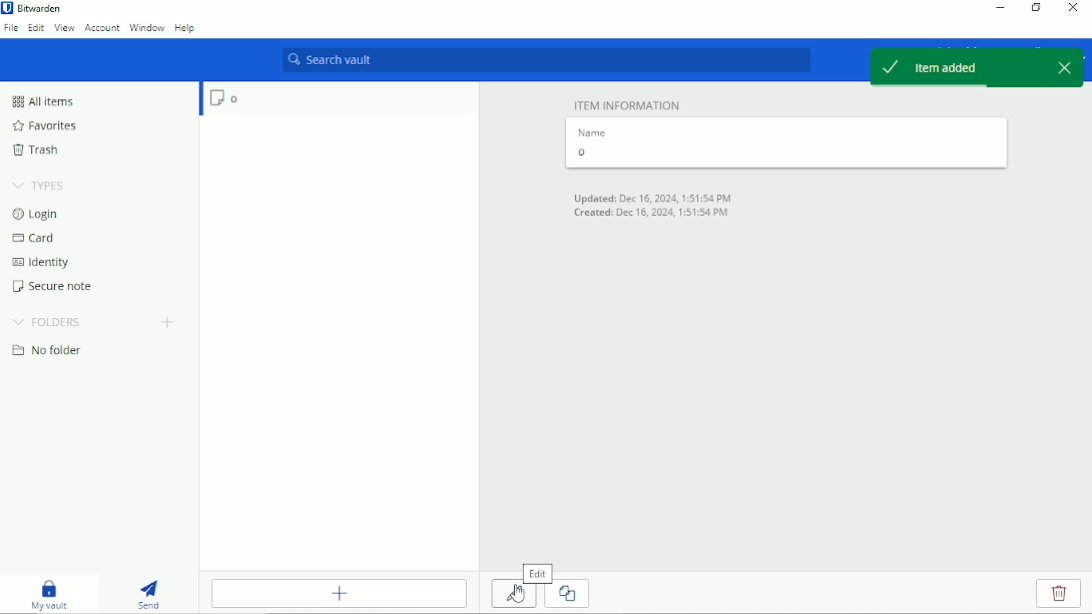 The image size is (1092, 614). Describe the element at coordinates (167, 321) in the screenshot. I see `Create folder` at that location.